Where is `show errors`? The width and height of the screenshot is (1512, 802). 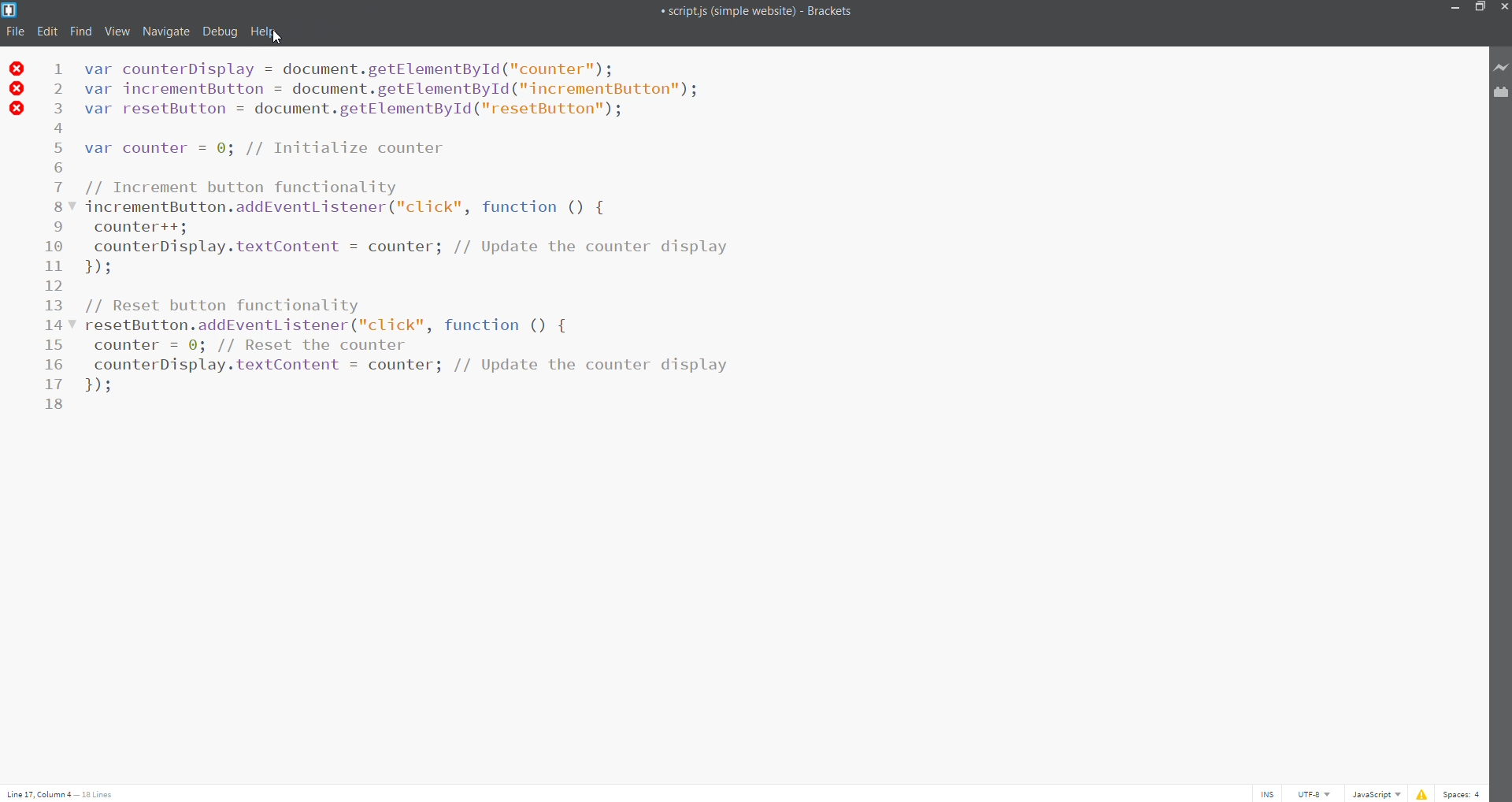 show errors is located at coordinates (1421, 793).